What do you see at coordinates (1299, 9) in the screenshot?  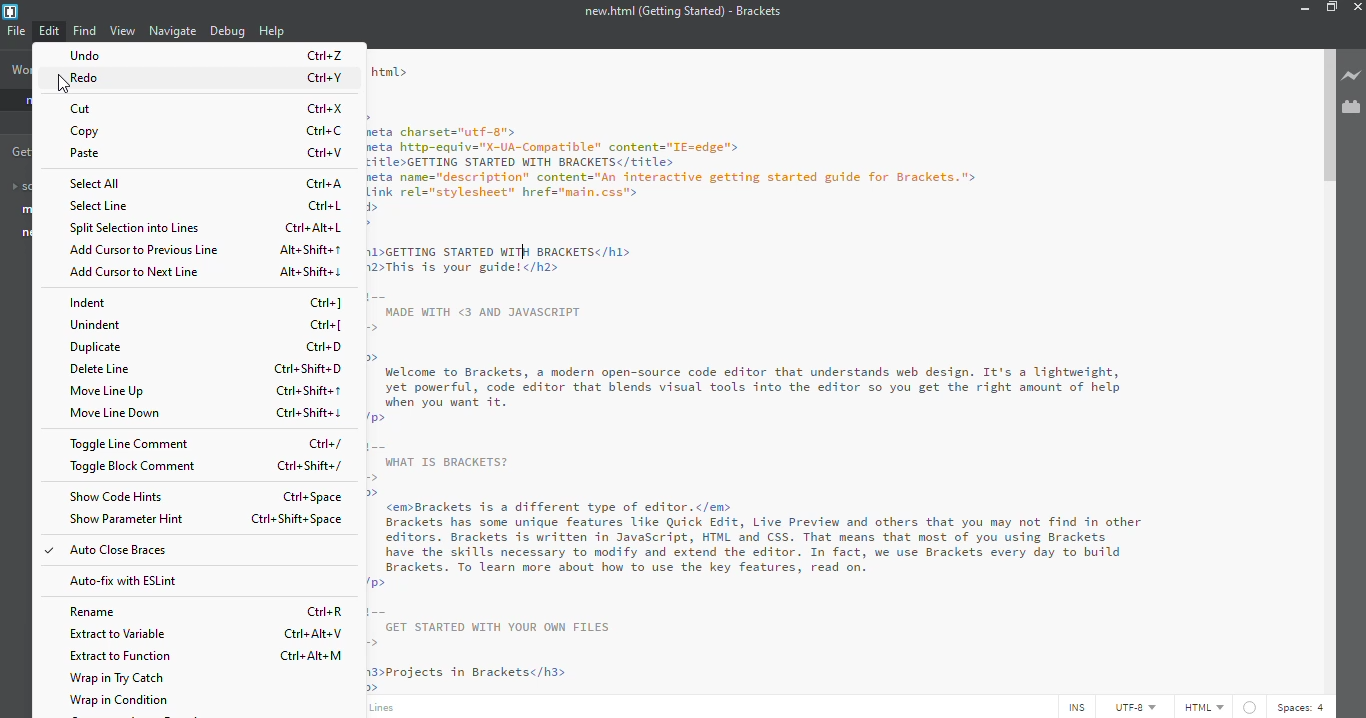 I see `minimize` at bounding box center [1299, 9].